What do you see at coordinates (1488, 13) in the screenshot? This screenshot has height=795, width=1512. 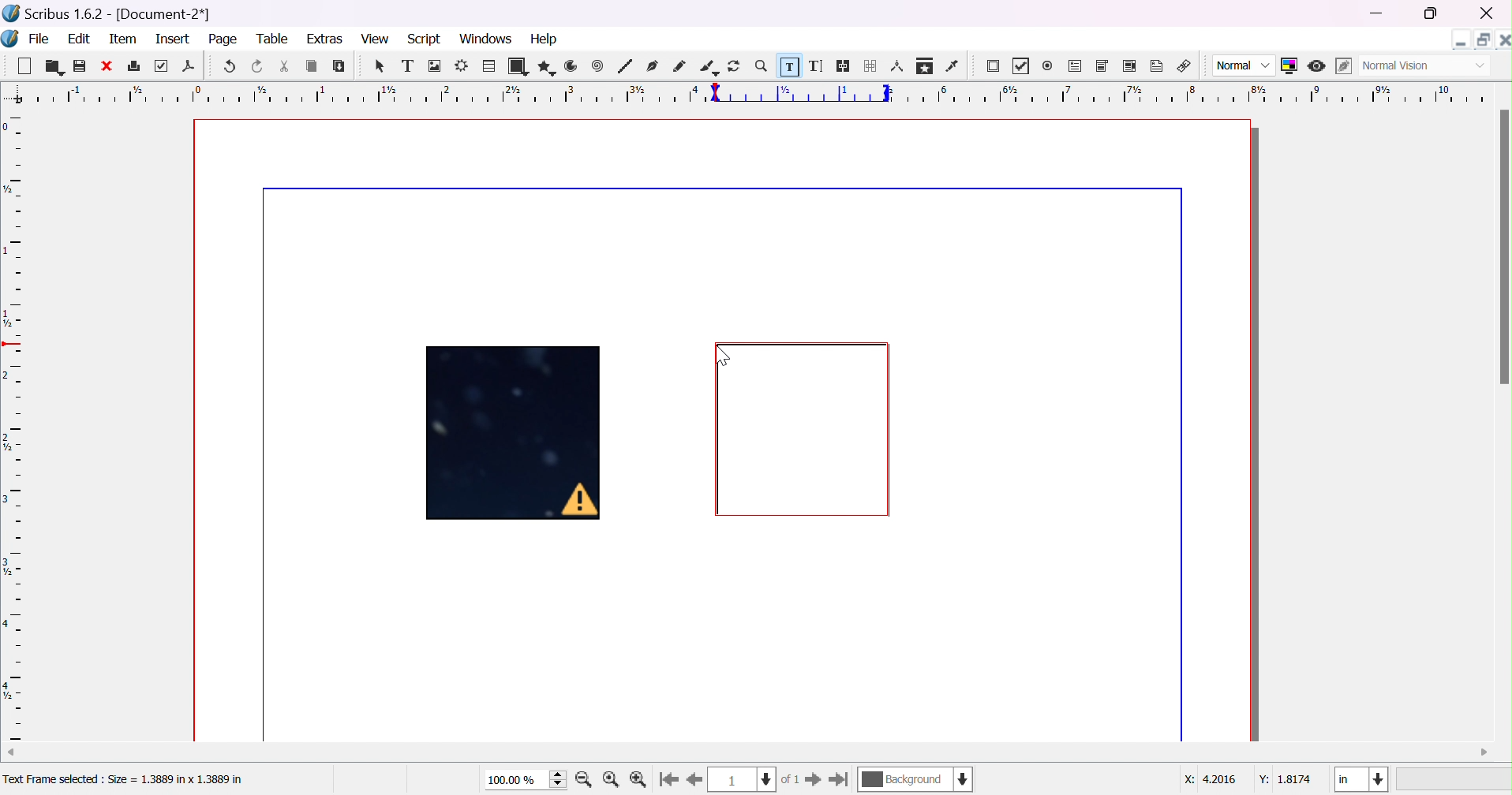 I see `close` at bounding box center [1488, 13].